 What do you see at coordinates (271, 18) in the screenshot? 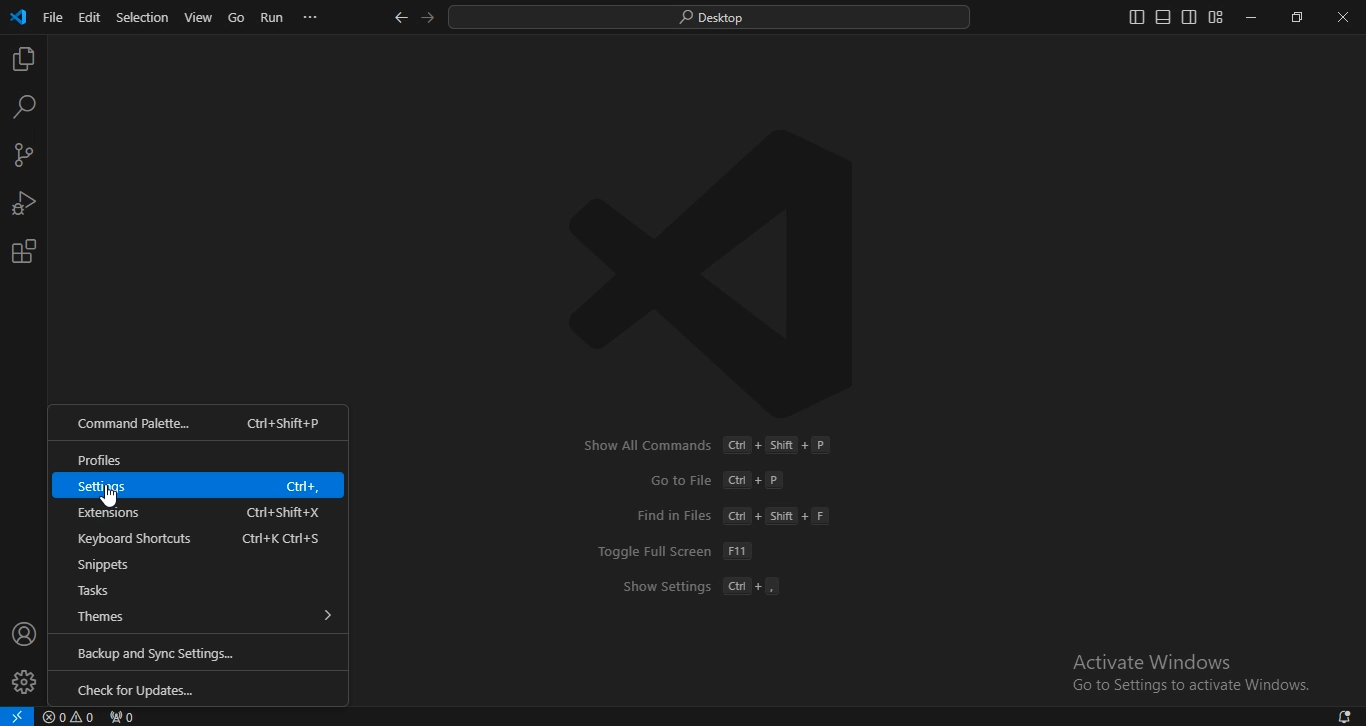
I see `run` at bounding box center [271, 18].